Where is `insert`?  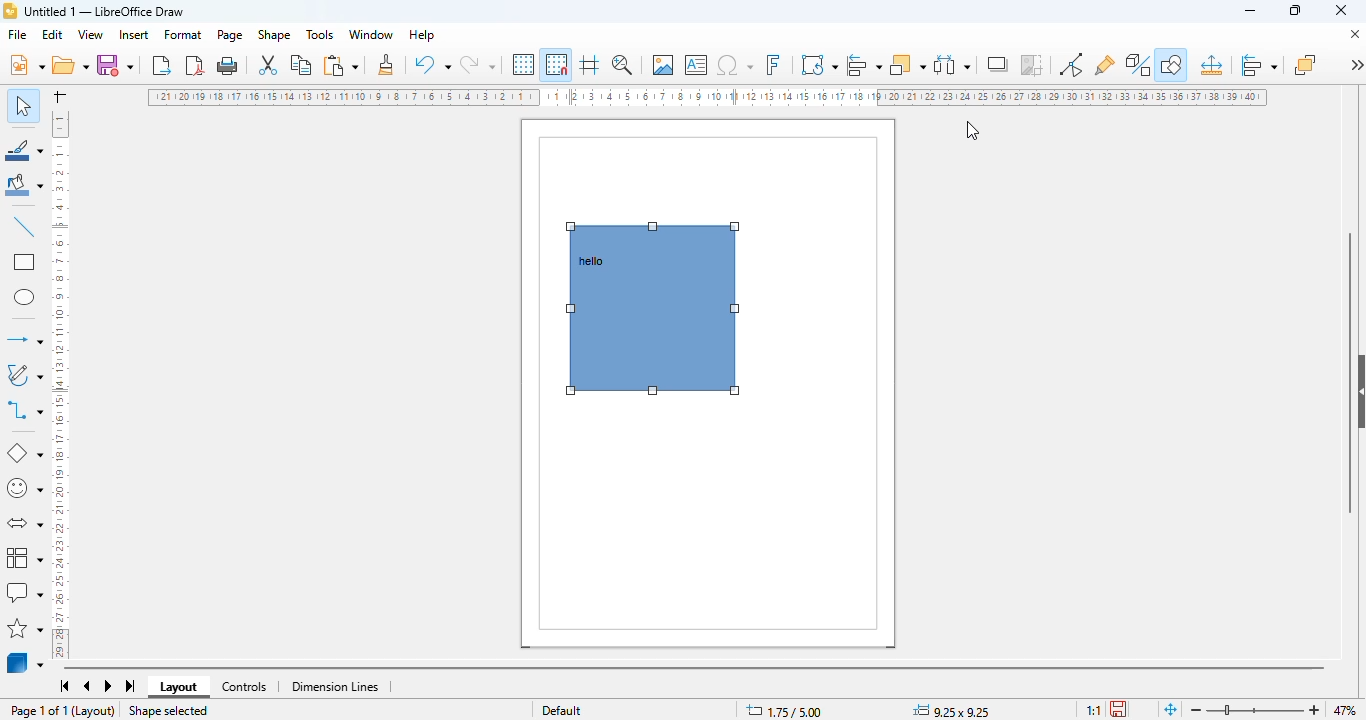 insert is located at coordinates (134, 35).